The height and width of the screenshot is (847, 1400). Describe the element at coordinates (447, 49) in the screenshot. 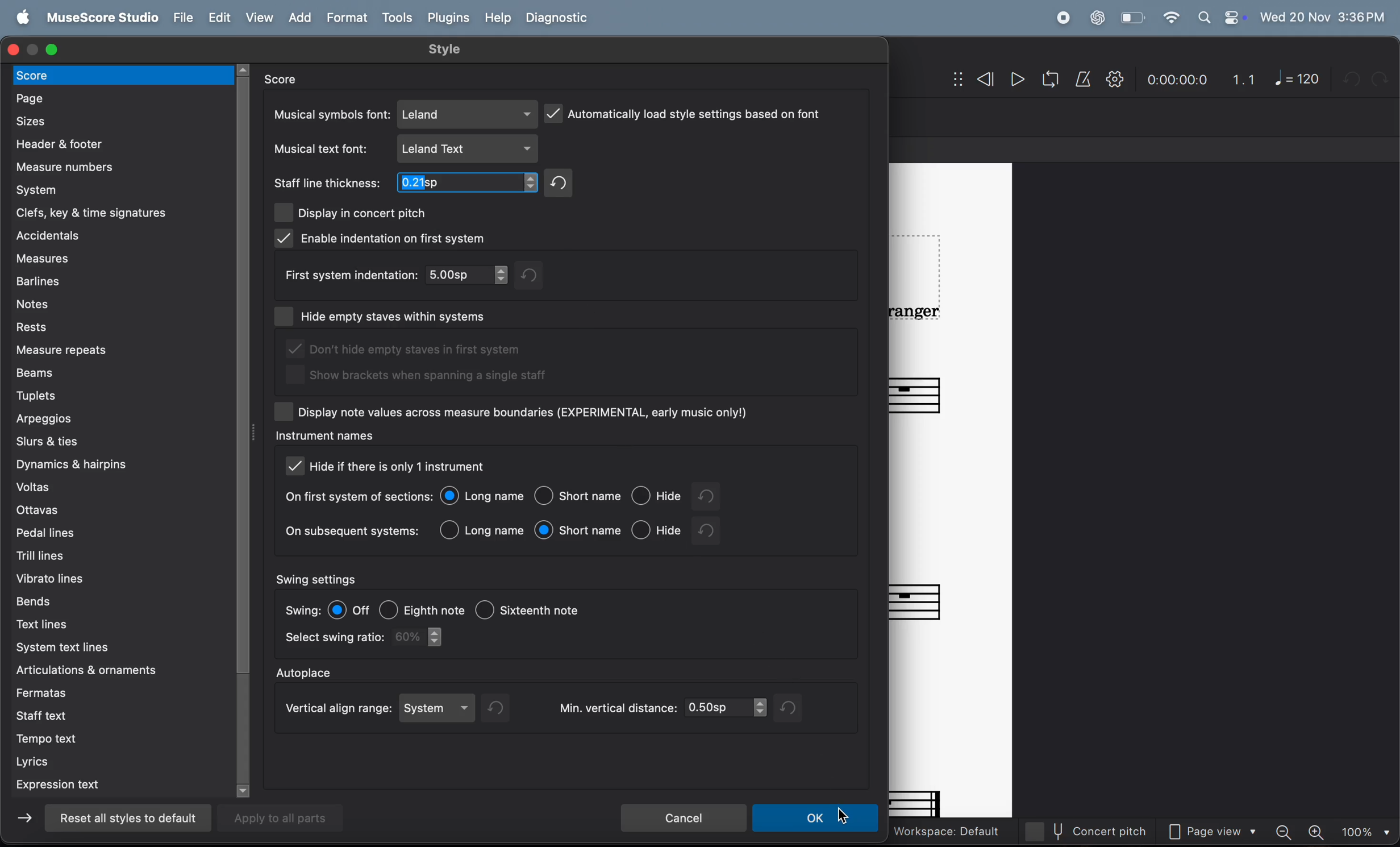

I see `style` at that location.